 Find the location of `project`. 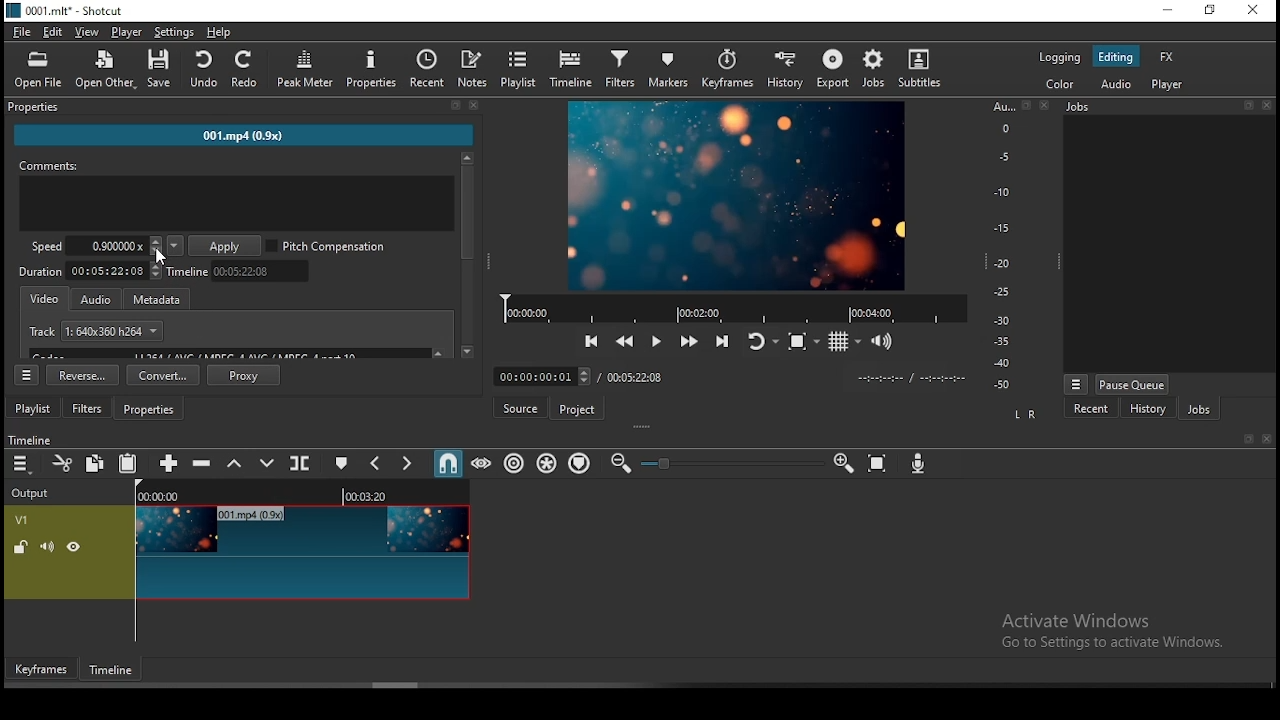

project is located at coordinates (578, 408).